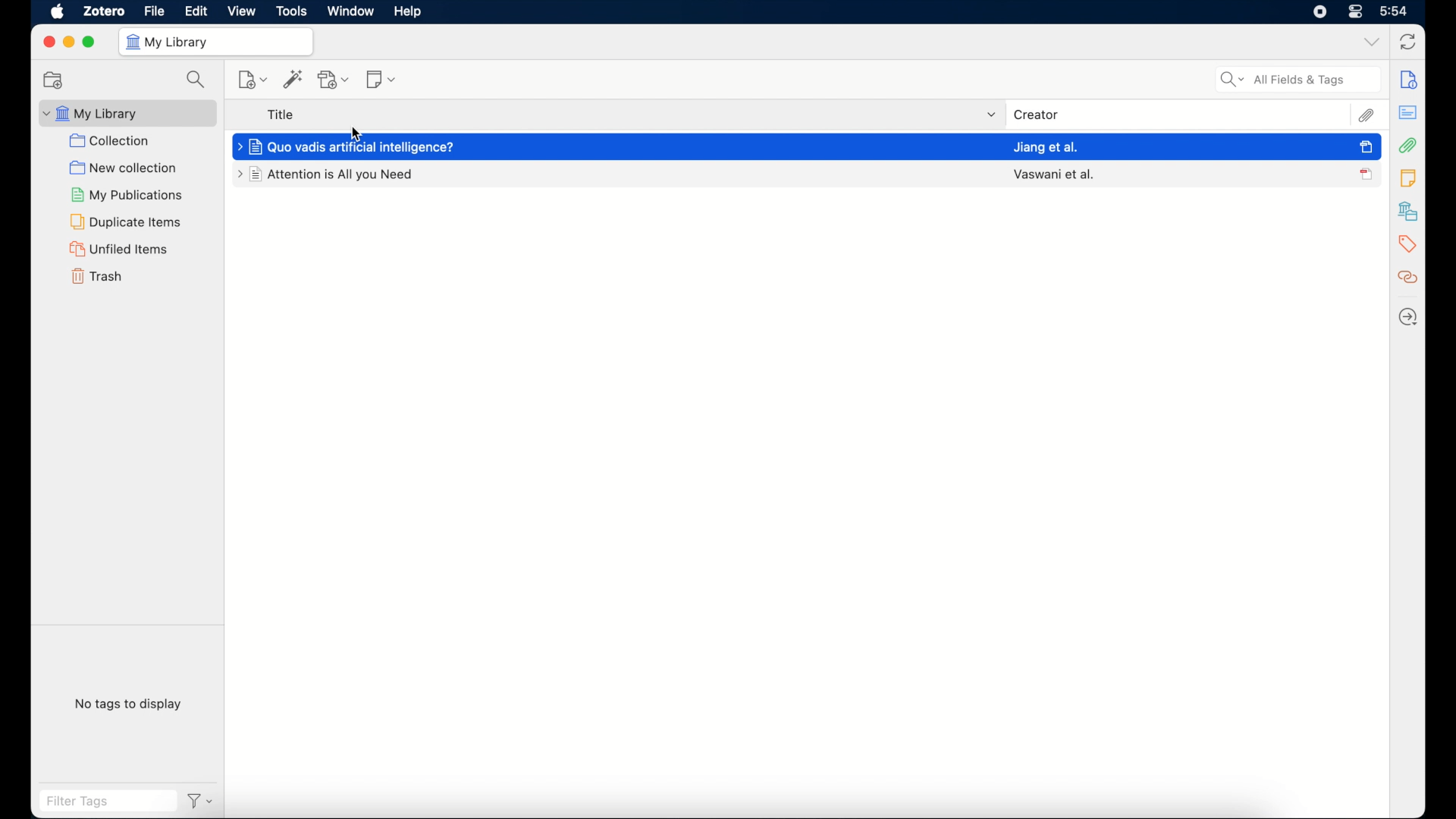  Describe the element at coordinates (111, 141) in the screenshot. I see `collection` at that location.